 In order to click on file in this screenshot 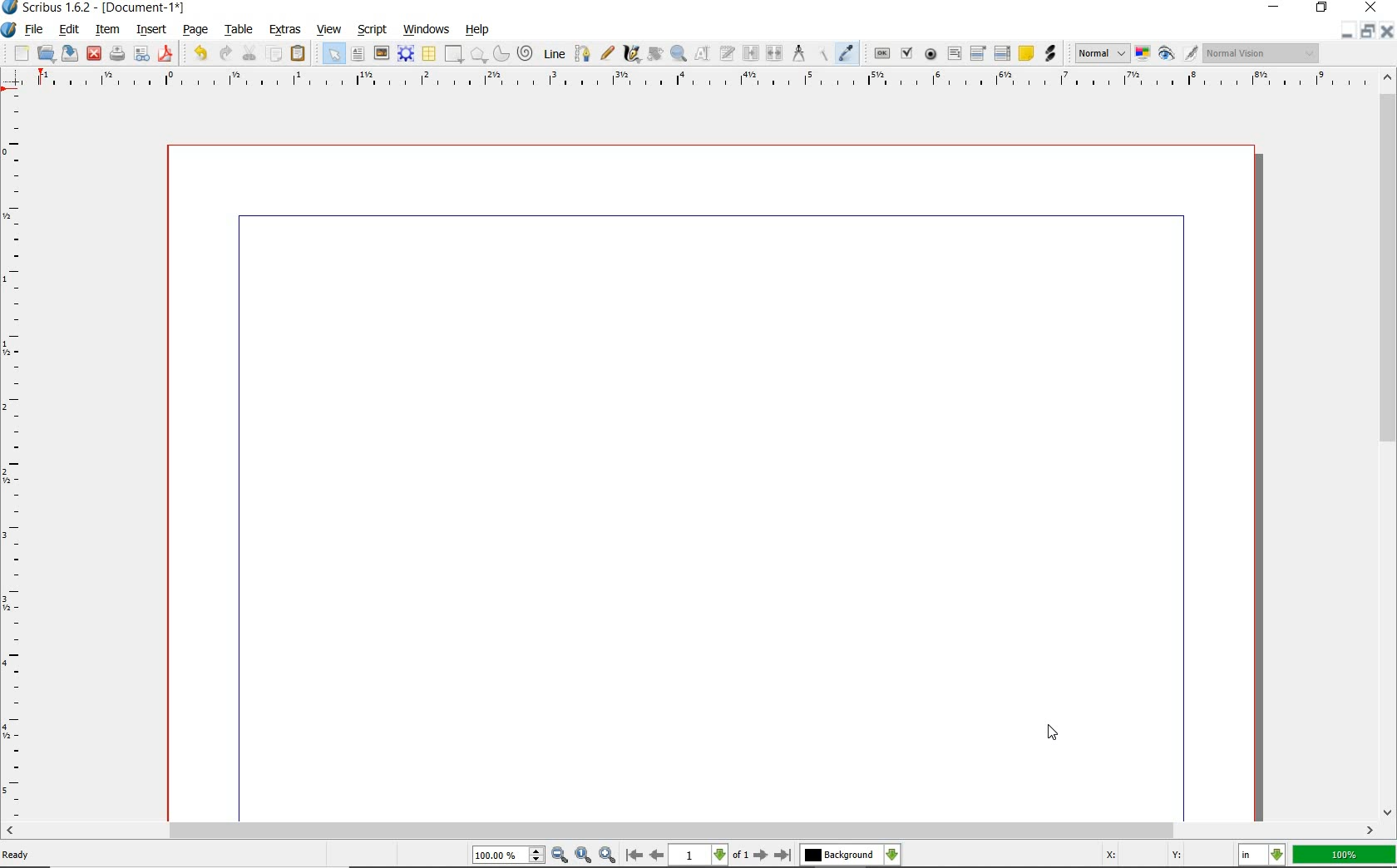, I will do `click(38, 31)`.